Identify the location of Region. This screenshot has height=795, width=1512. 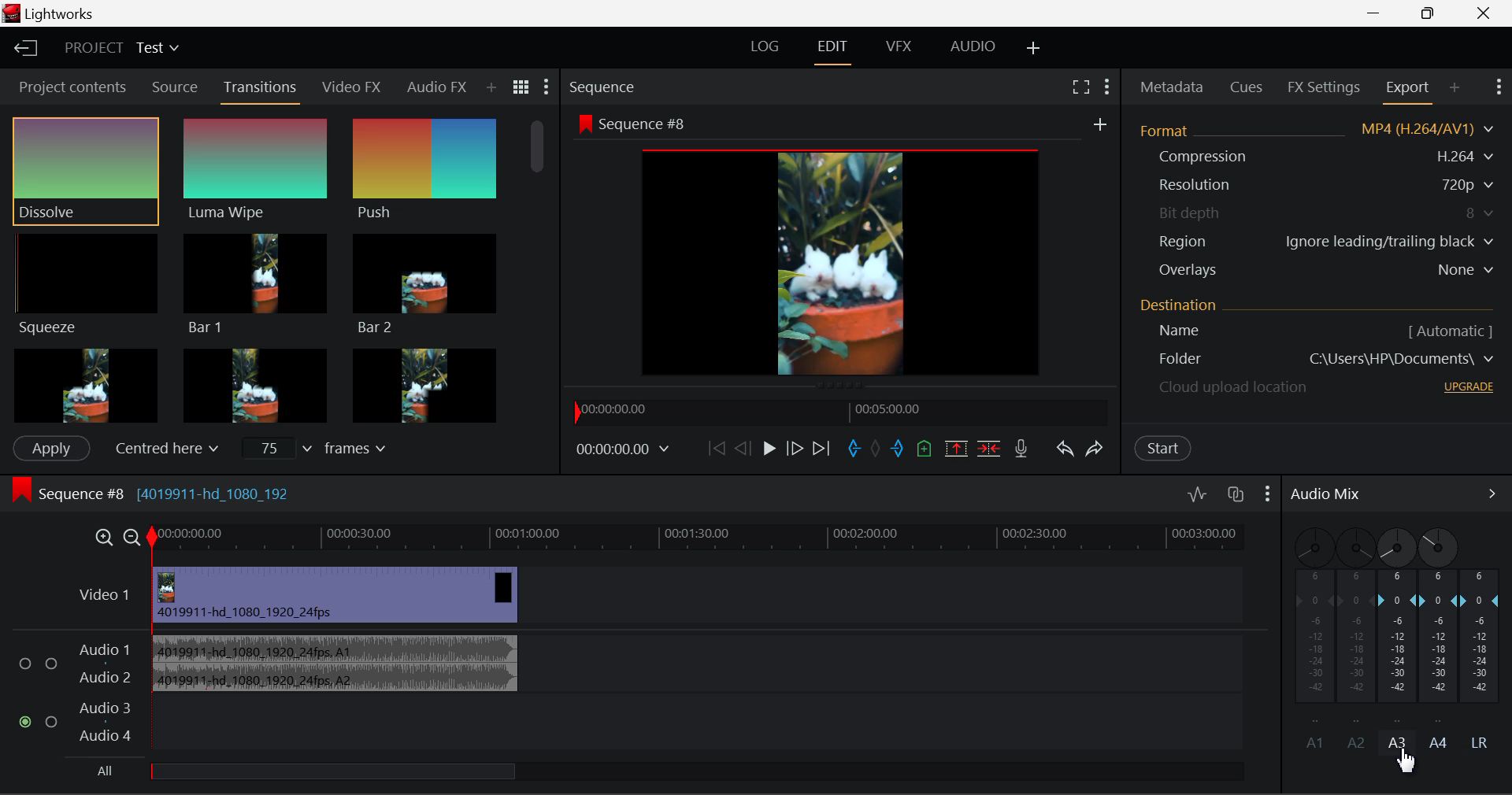
(1314, 242).